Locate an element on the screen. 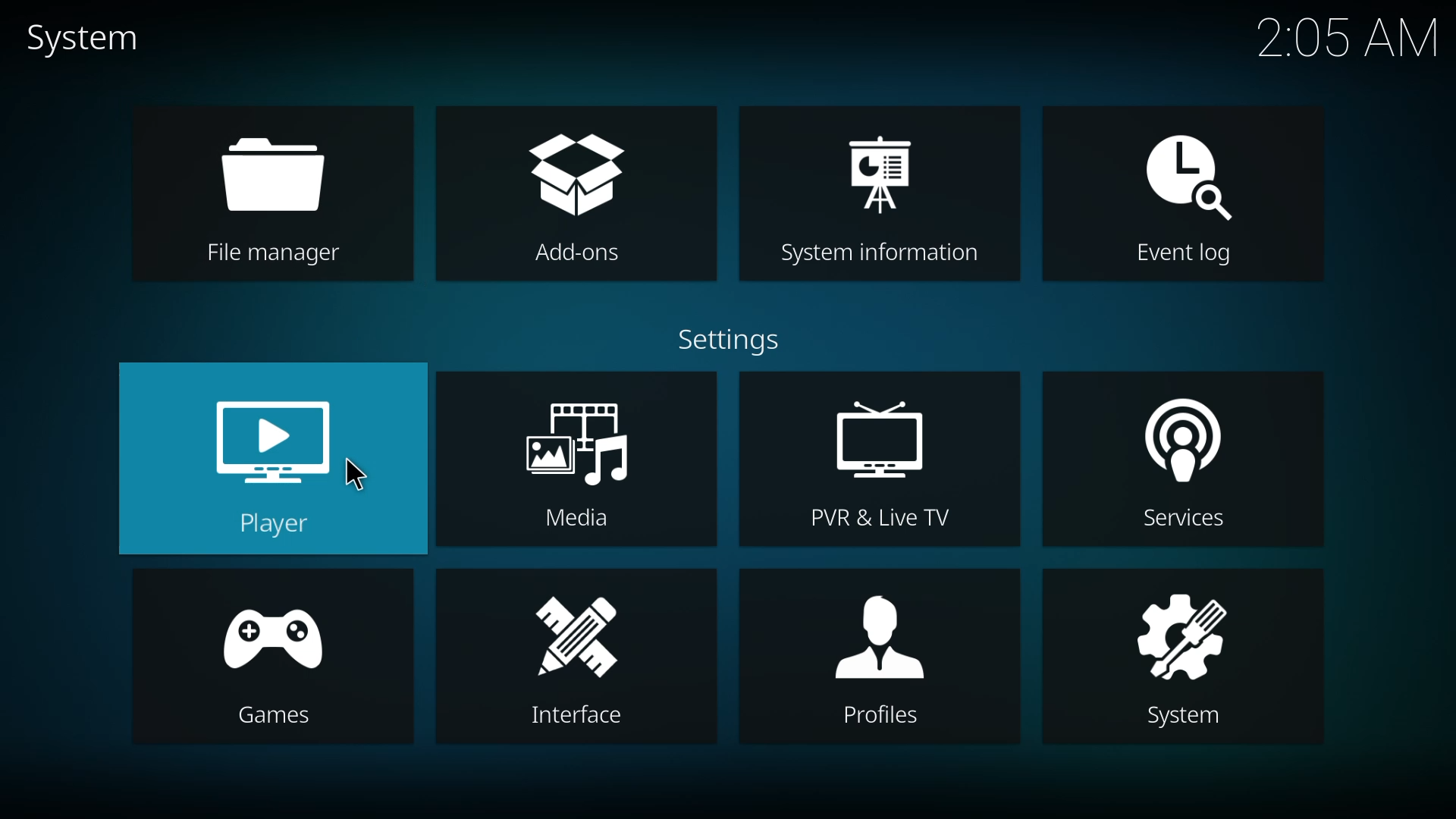 The width and height of the screenshot is (1456, 819). system is located at coordinates (1185, 661).